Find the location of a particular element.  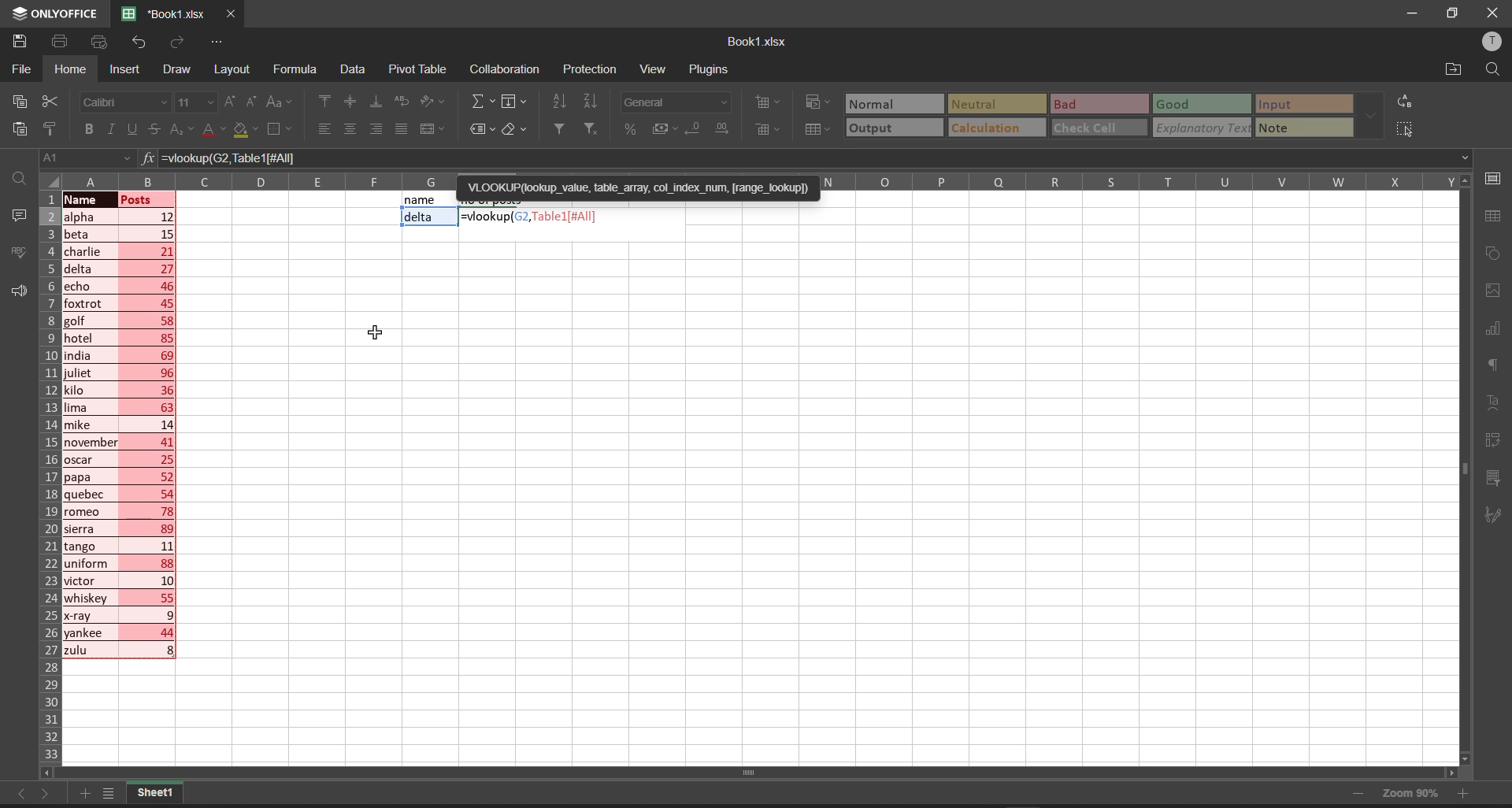

emty cell is located at coordinates (796, 505).